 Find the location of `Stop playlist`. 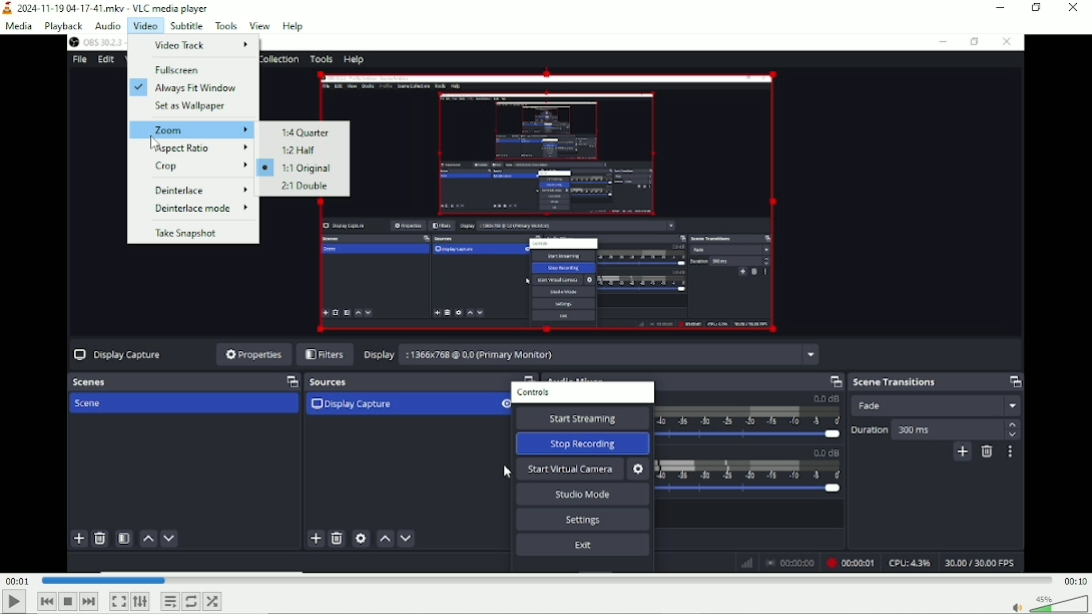

Stop playlist is located at coordinates (68, 601).